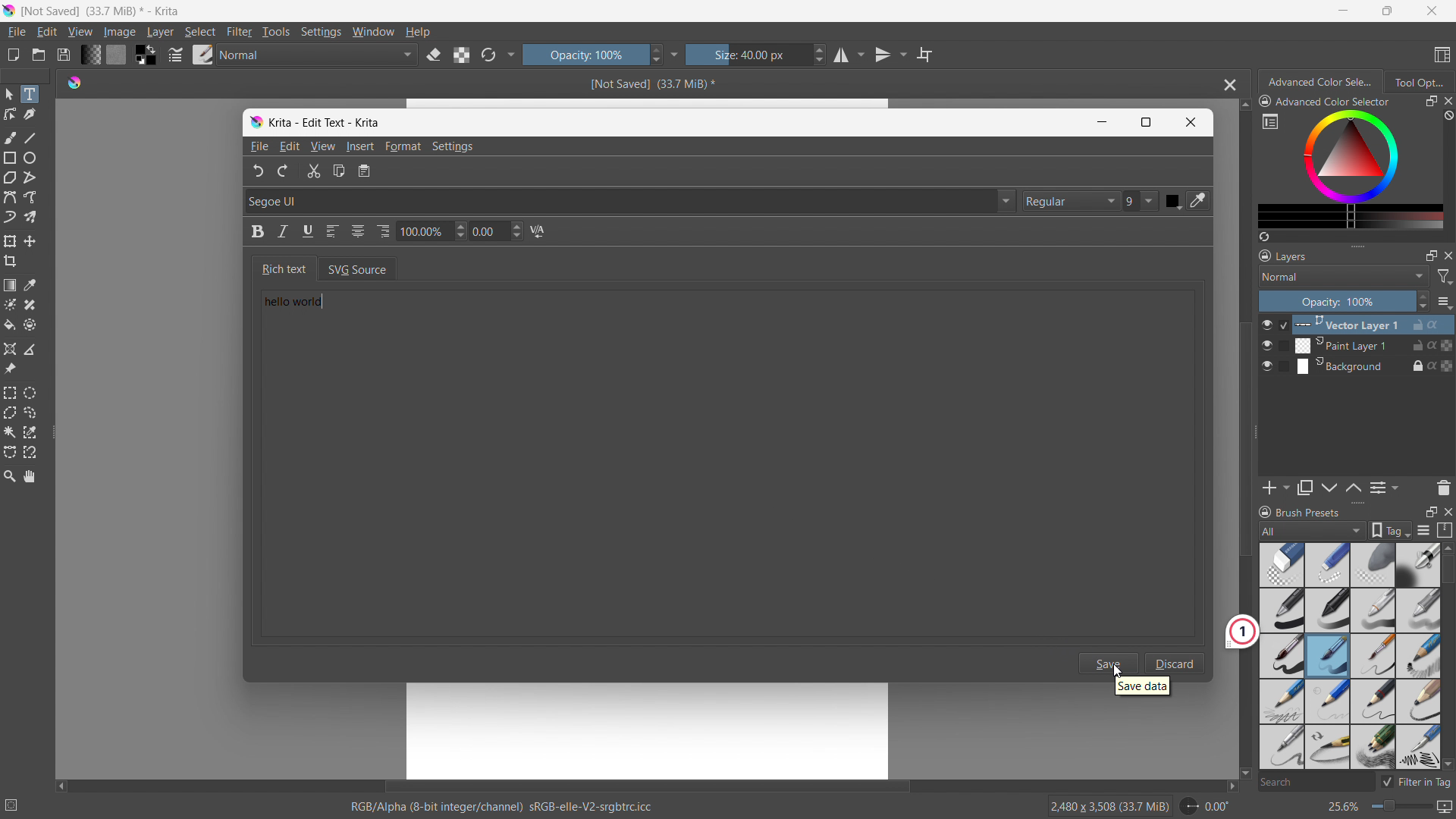 This screenshot has width=1456, height=819. What do you see at coordinates (1447, 548) in the screenshot?
I see `scroll up` at bounding box center [1447, 548].